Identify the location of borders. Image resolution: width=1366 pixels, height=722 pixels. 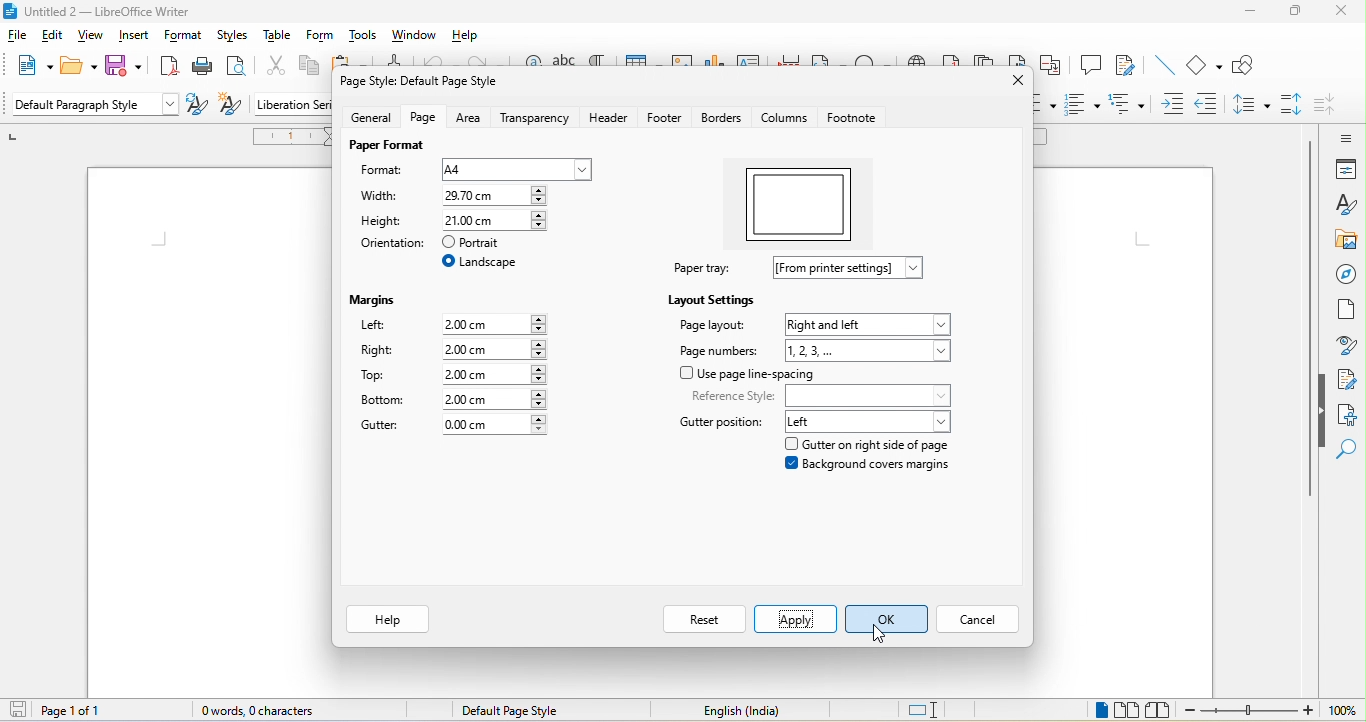
(728, 119).